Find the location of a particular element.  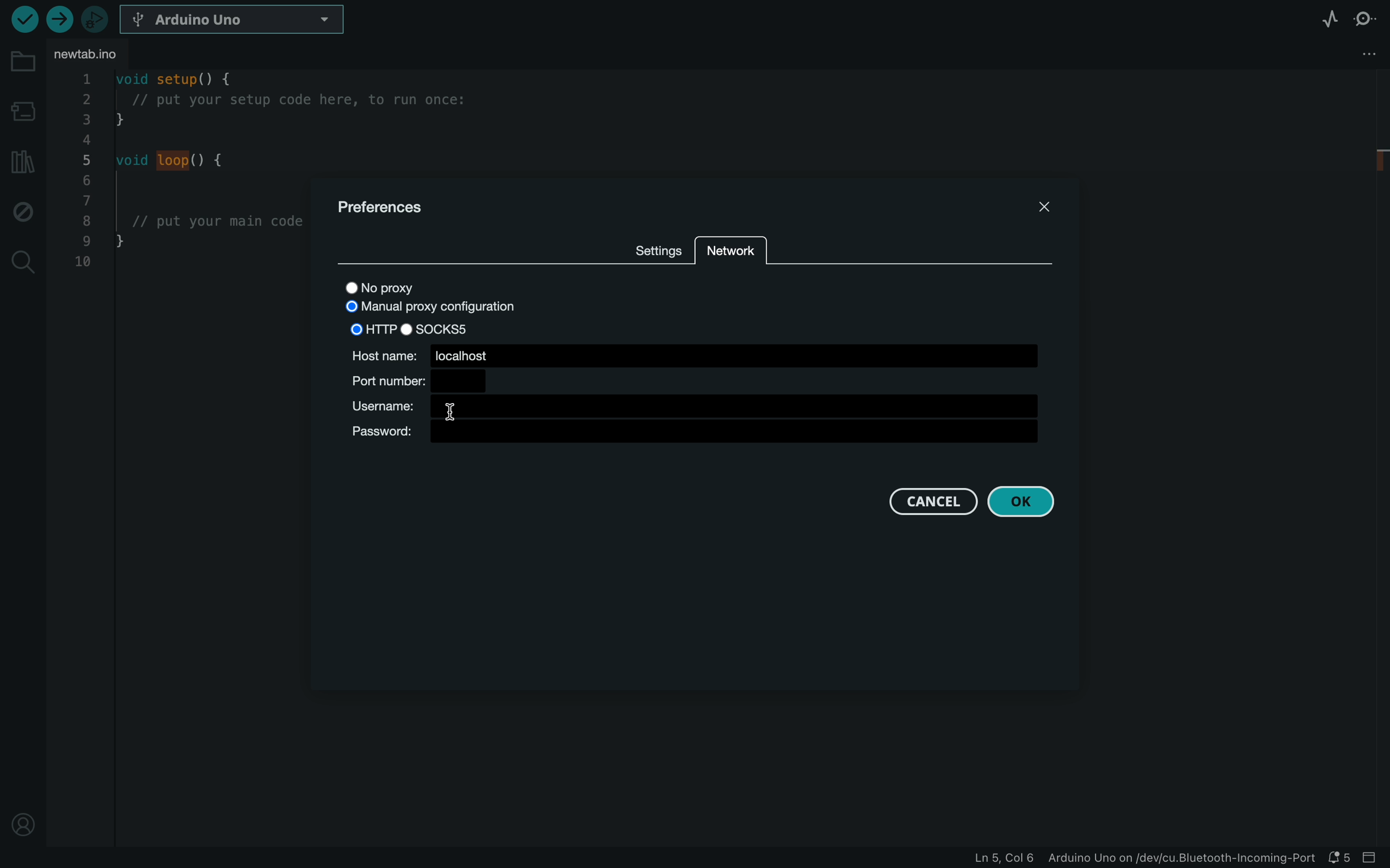

file tab is located at coordinates (94, 54).